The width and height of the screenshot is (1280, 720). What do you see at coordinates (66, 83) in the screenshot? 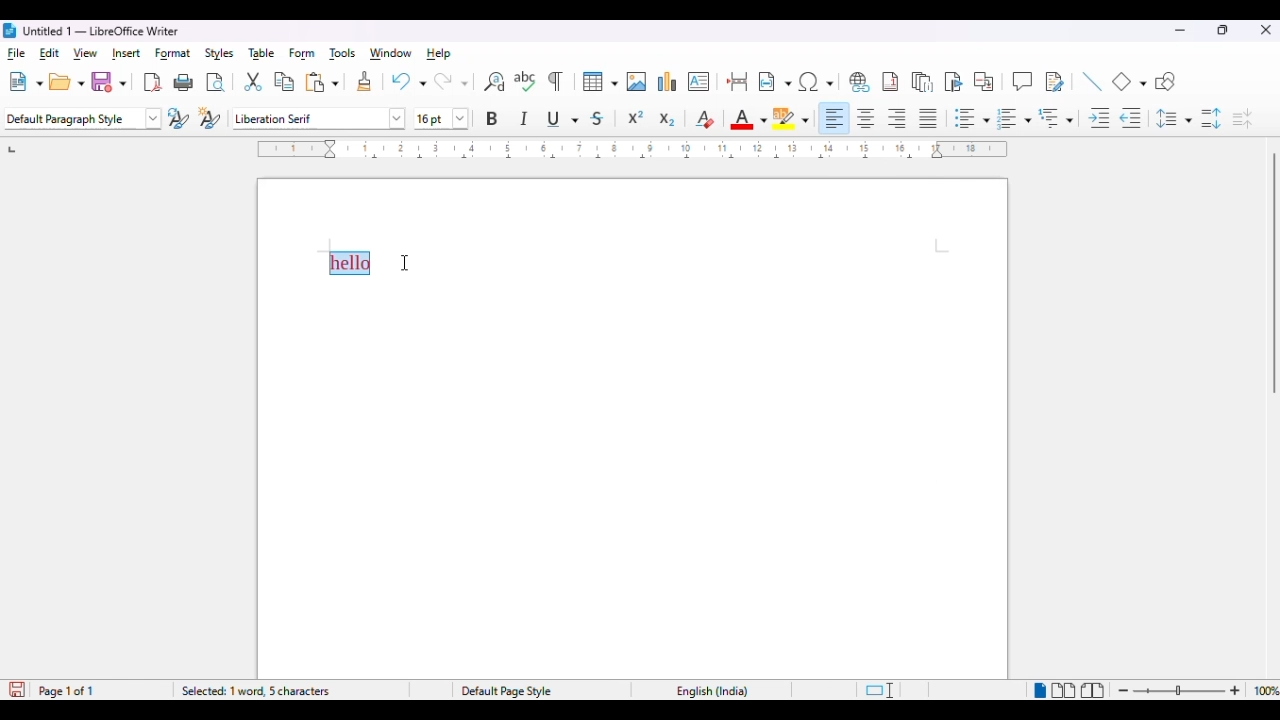
I see `open` at bounding box center [66, 83].